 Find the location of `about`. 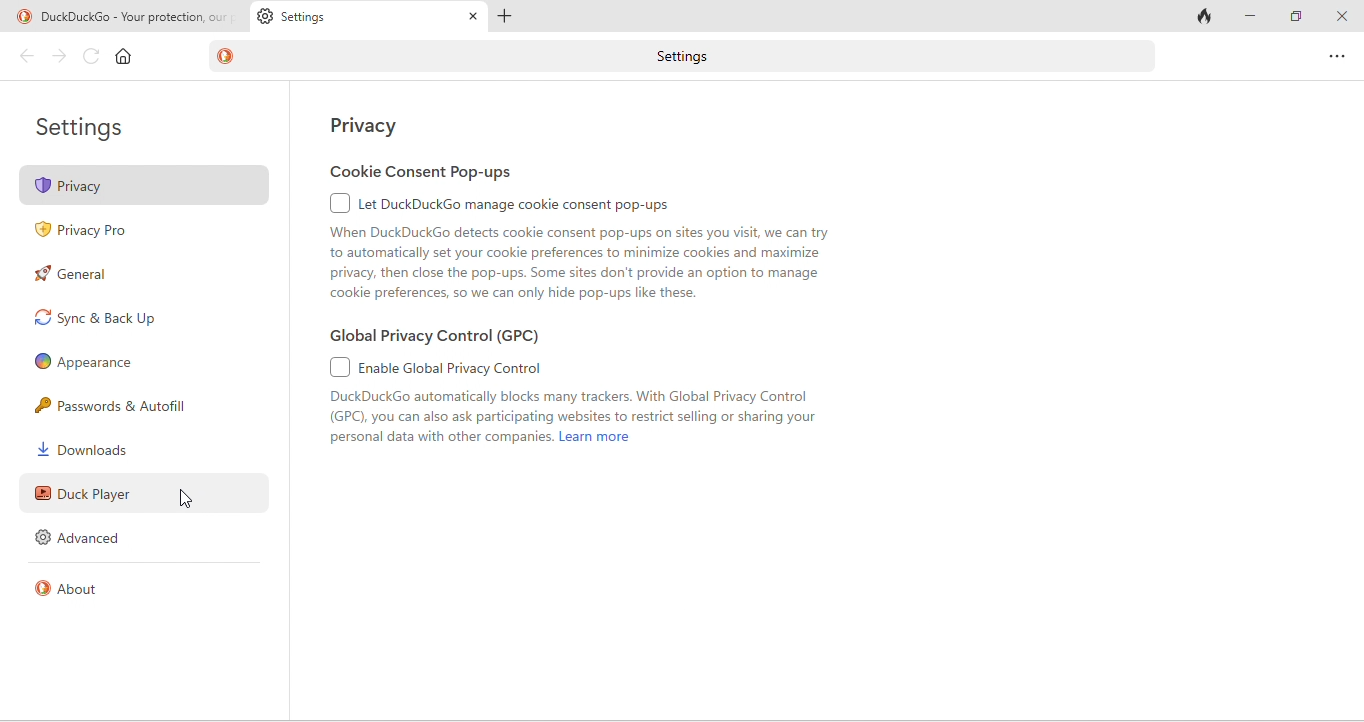

about is located at coordinates (74, 586).